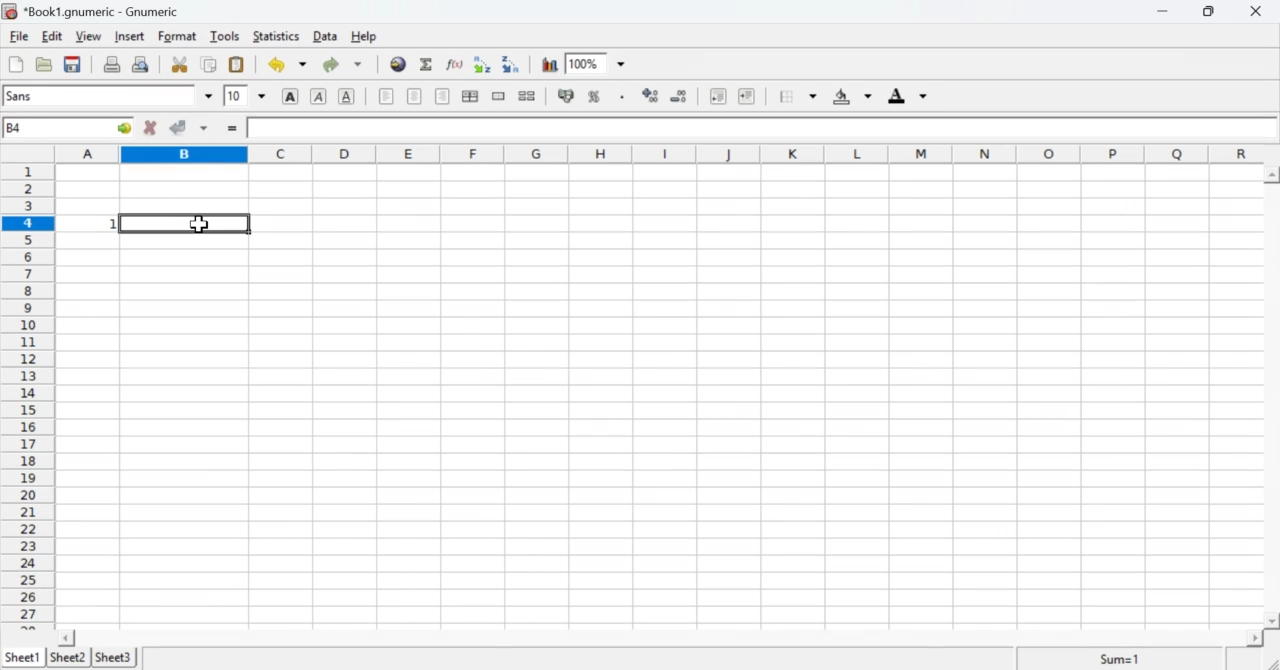  I want to click on Sheet 3, so click(115, 658).